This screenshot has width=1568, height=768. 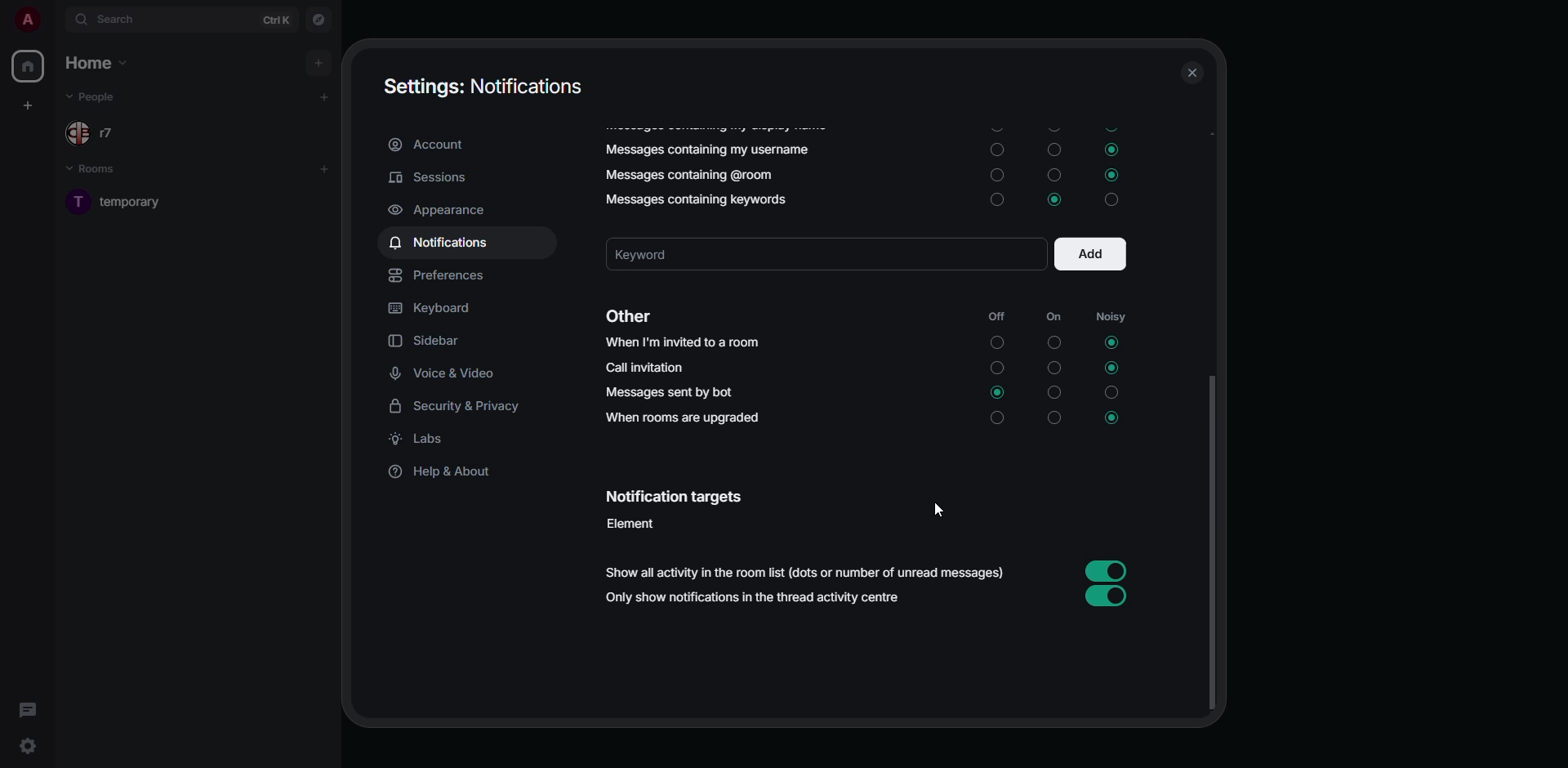 I want to click on off, so click(x=992, y=317).